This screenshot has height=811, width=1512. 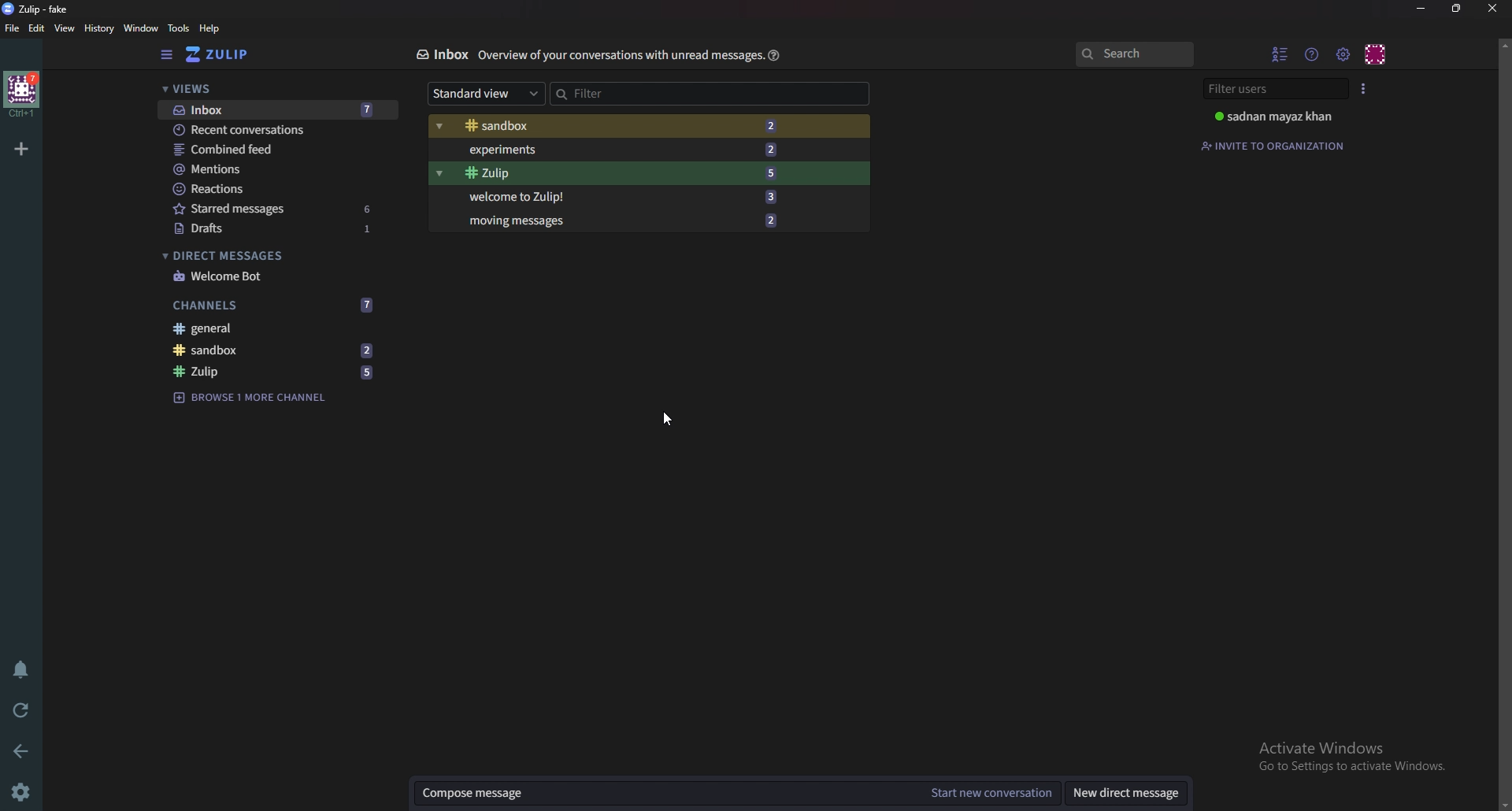 I want to click on Inbox, so click(x=231, y=109).